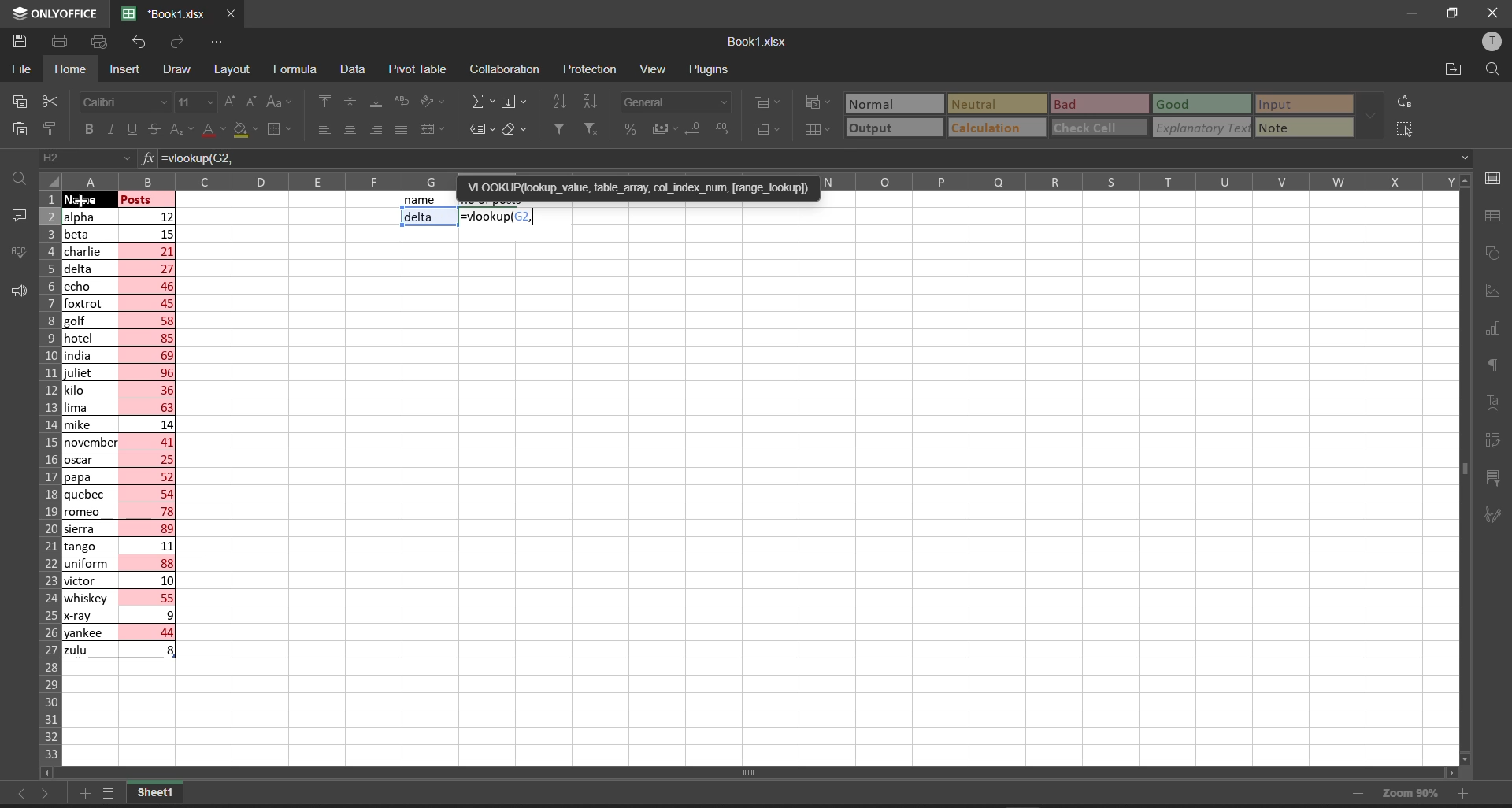 This screenshot has height=808, width=1512. What do you see at coordinates (349, 102) in the screenshot?
I see `align center` at bounding box center [349, 102].